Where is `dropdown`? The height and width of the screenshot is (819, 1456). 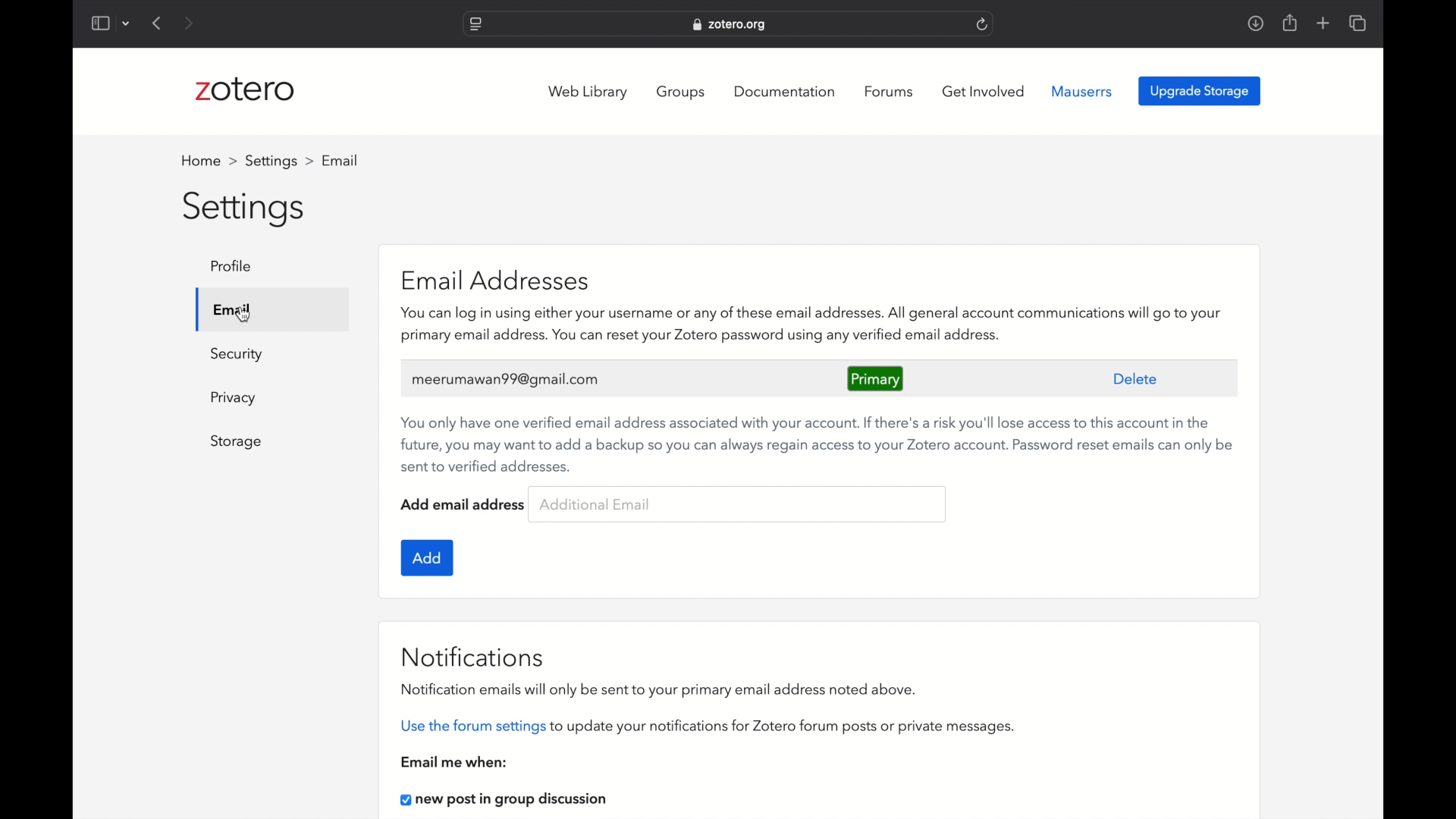
dropdown is located at coordinates (126, 23).